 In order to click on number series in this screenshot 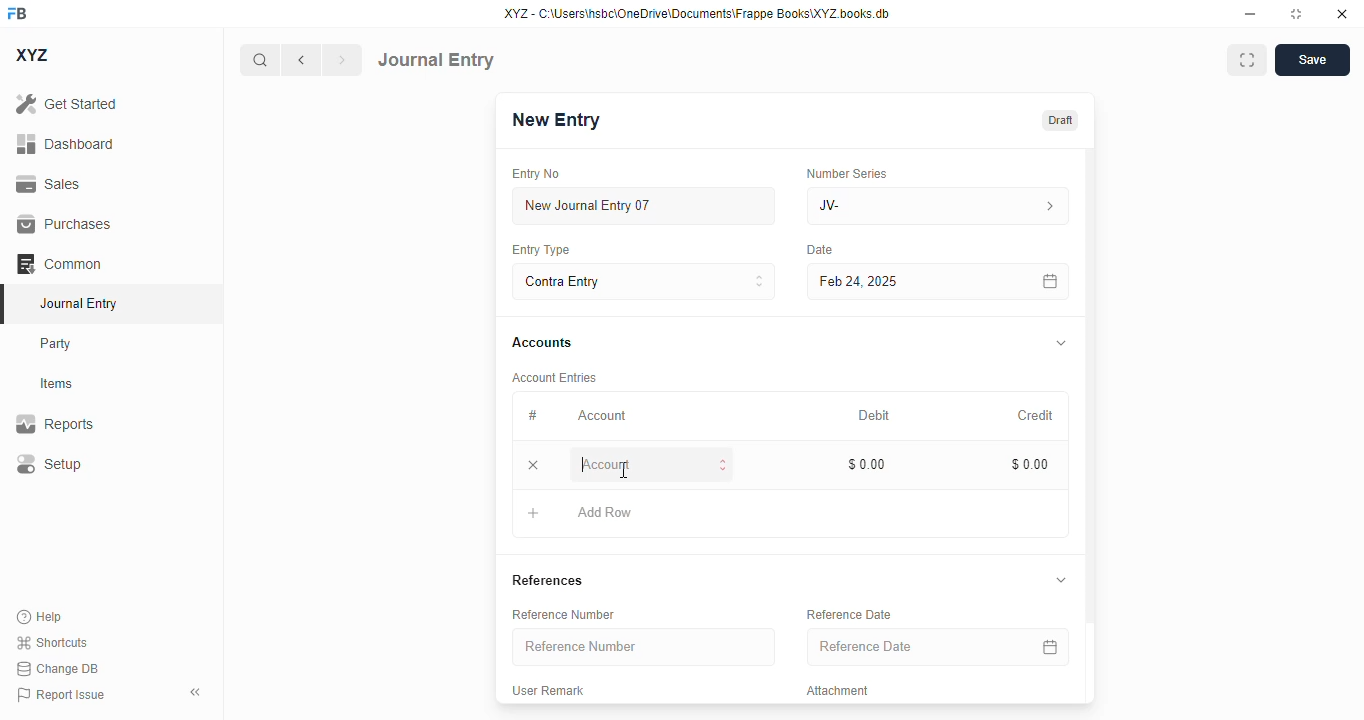, I will do `click(849, 173)`.